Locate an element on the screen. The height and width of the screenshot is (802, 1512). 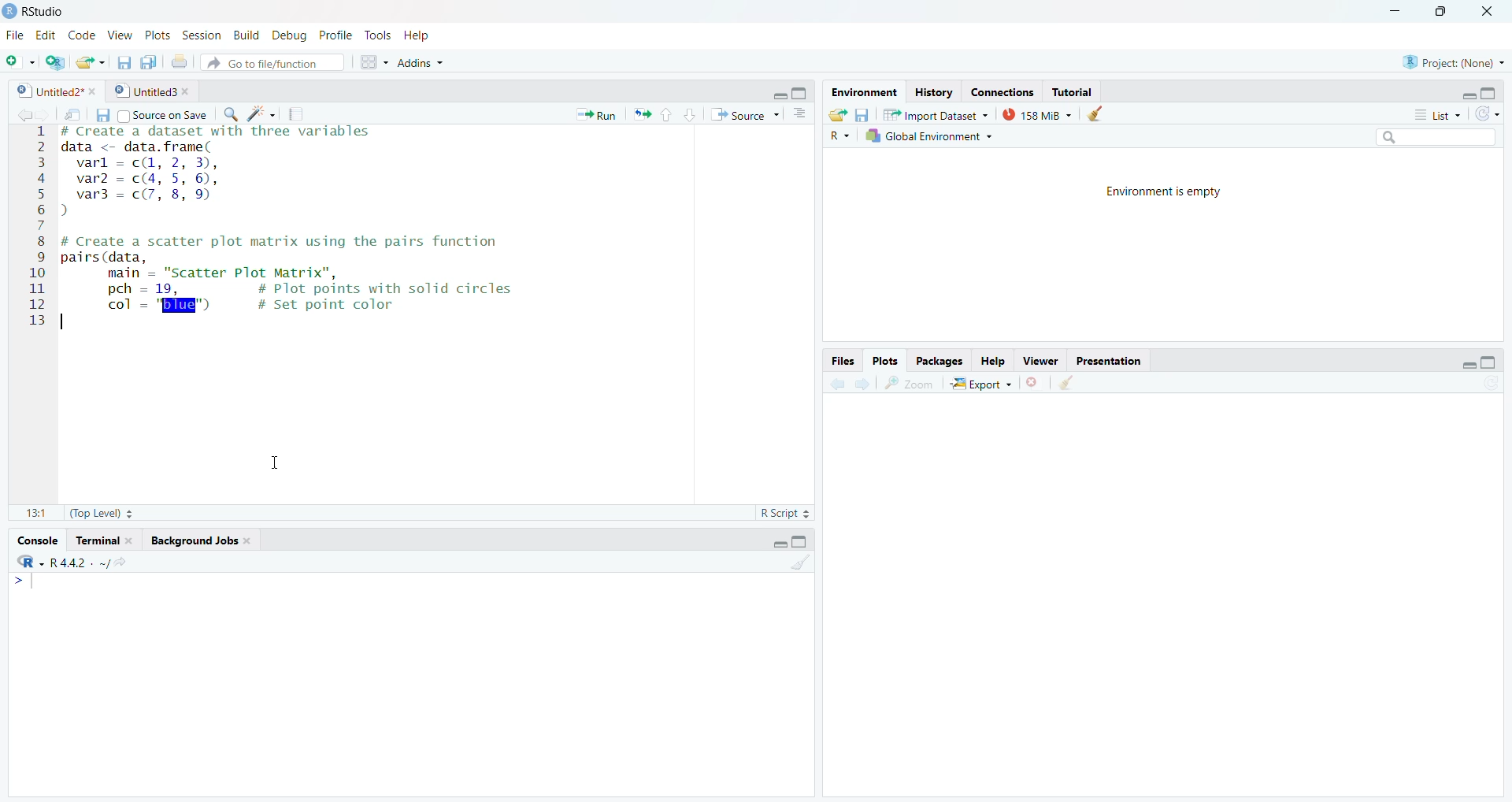
New file is located at coordinates (20, 59).